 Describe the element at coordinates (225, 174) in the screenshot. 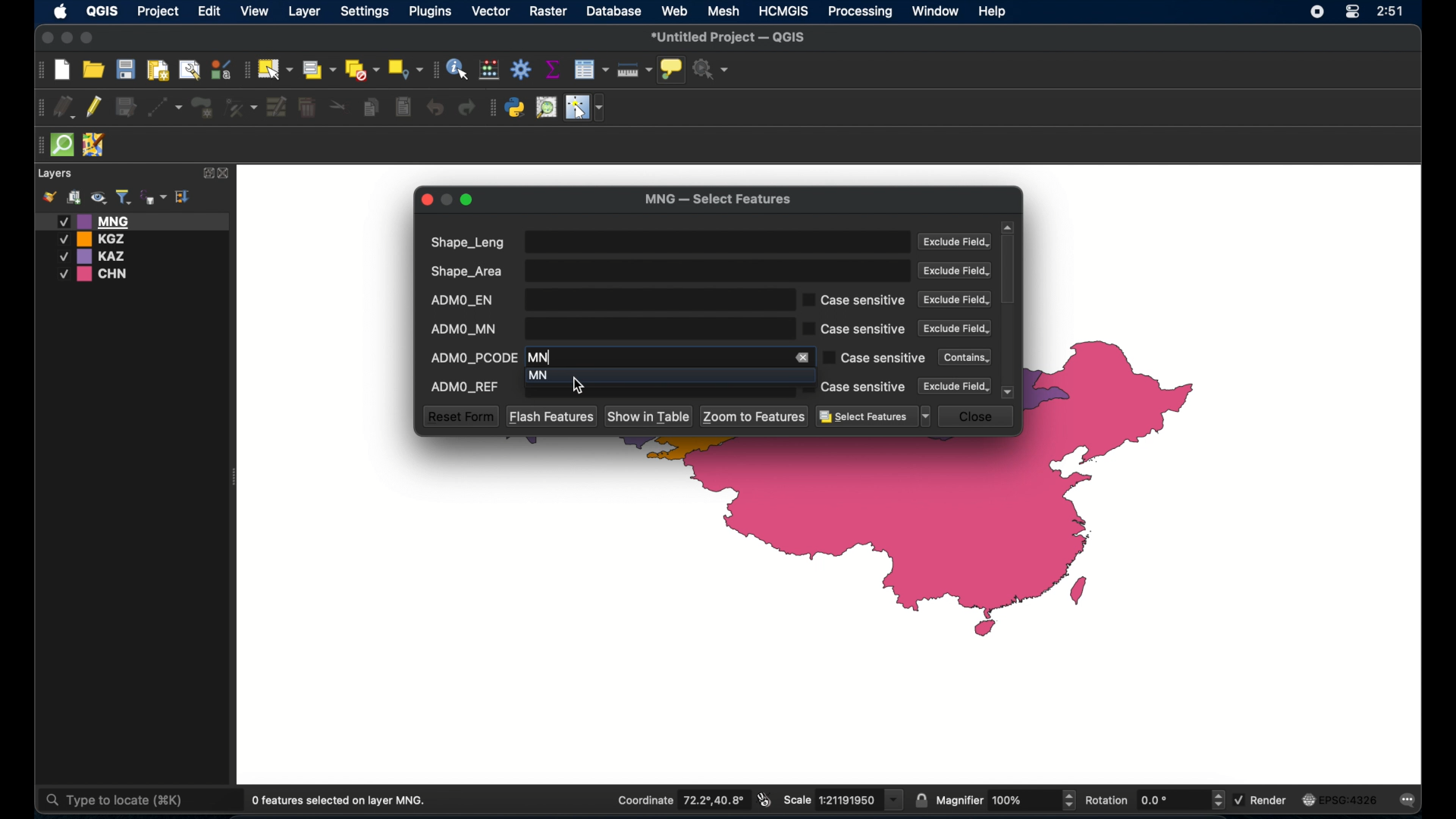

I see `close` at that location.